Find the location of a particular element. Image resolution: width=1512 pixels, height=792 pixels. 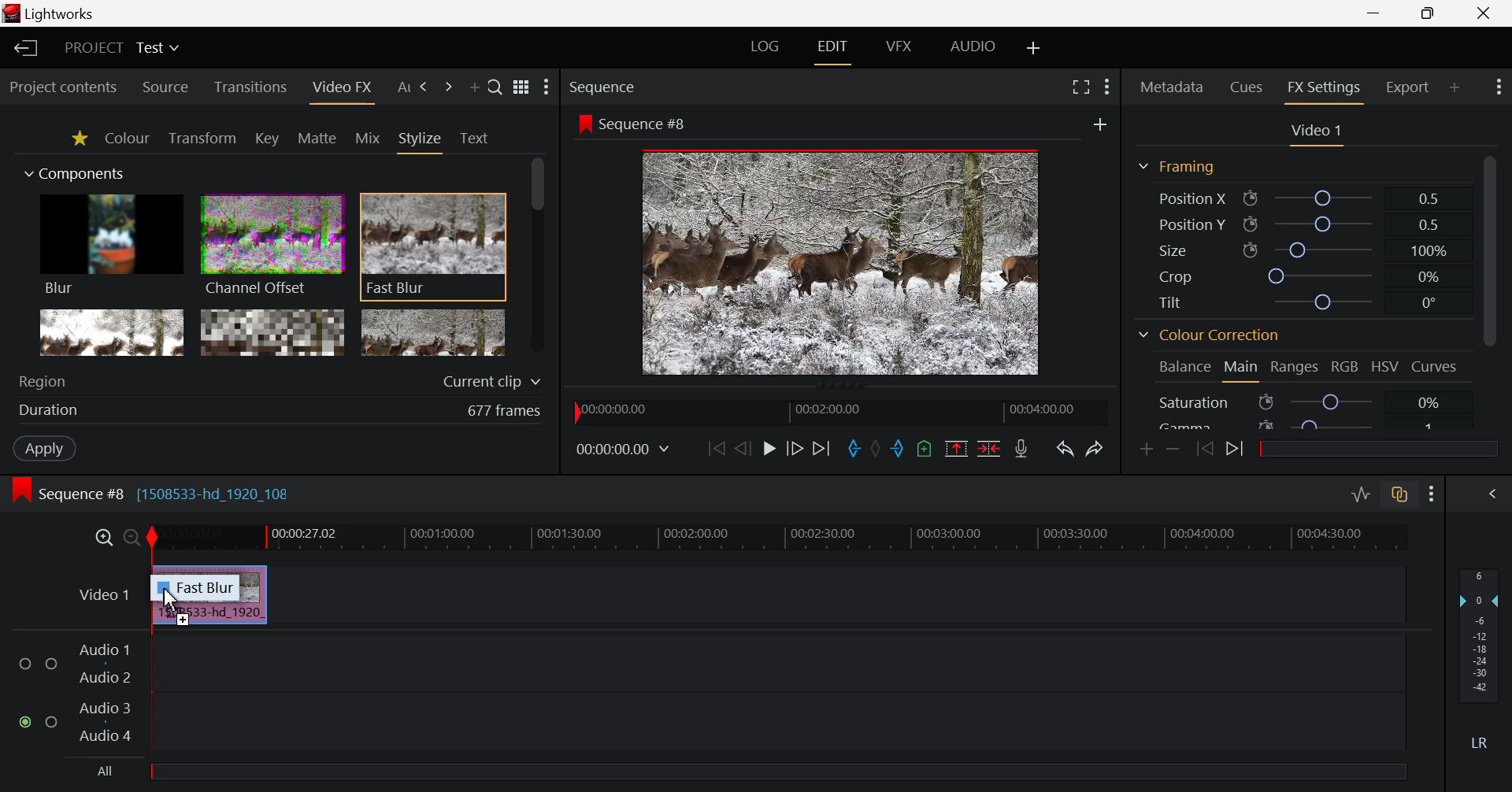

Project Timeline is located at coordinates (779, 536).